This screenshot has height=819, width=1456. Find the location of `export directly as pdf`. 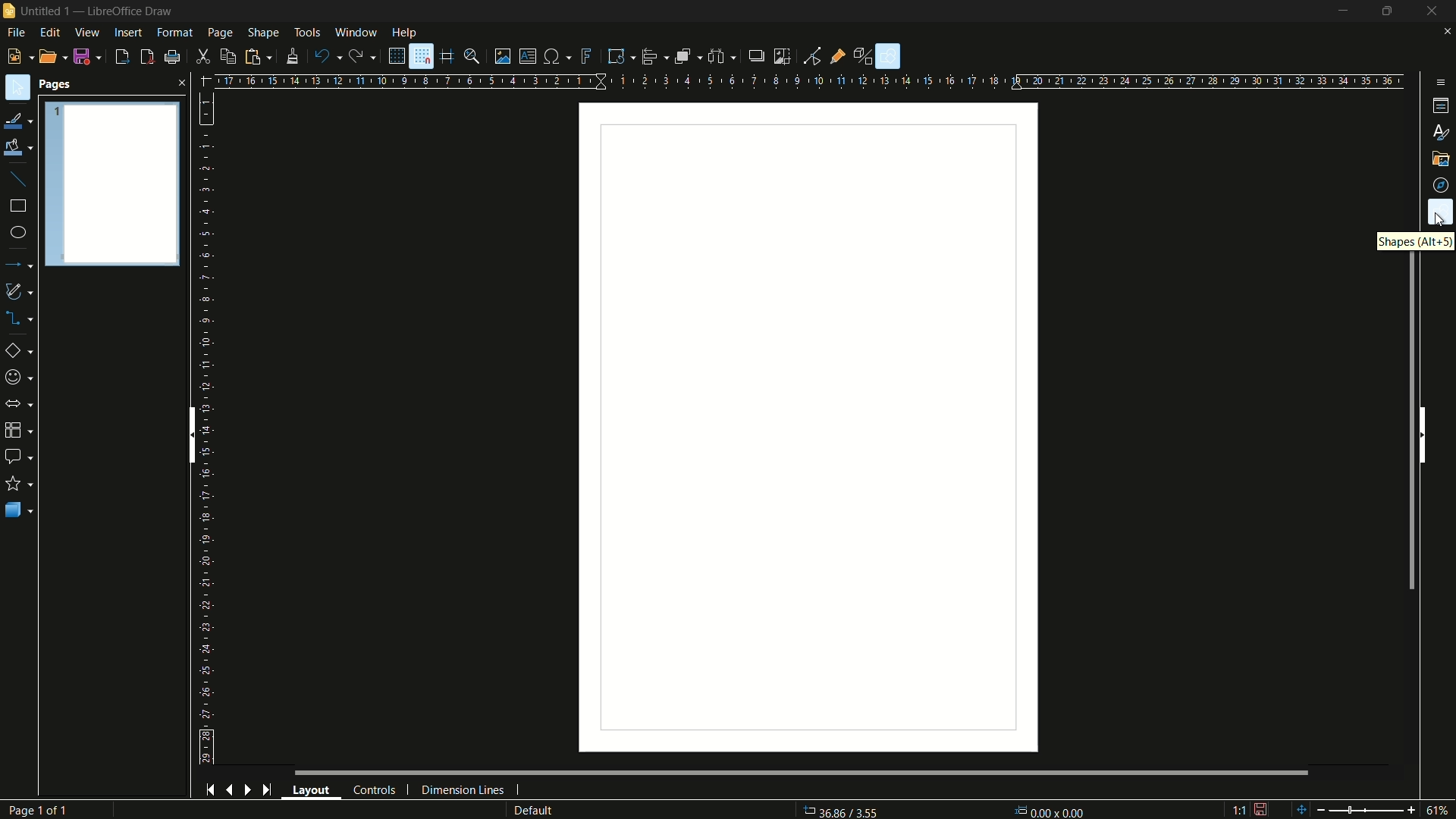

export directly as pdf is located at coordinates (147, 56).